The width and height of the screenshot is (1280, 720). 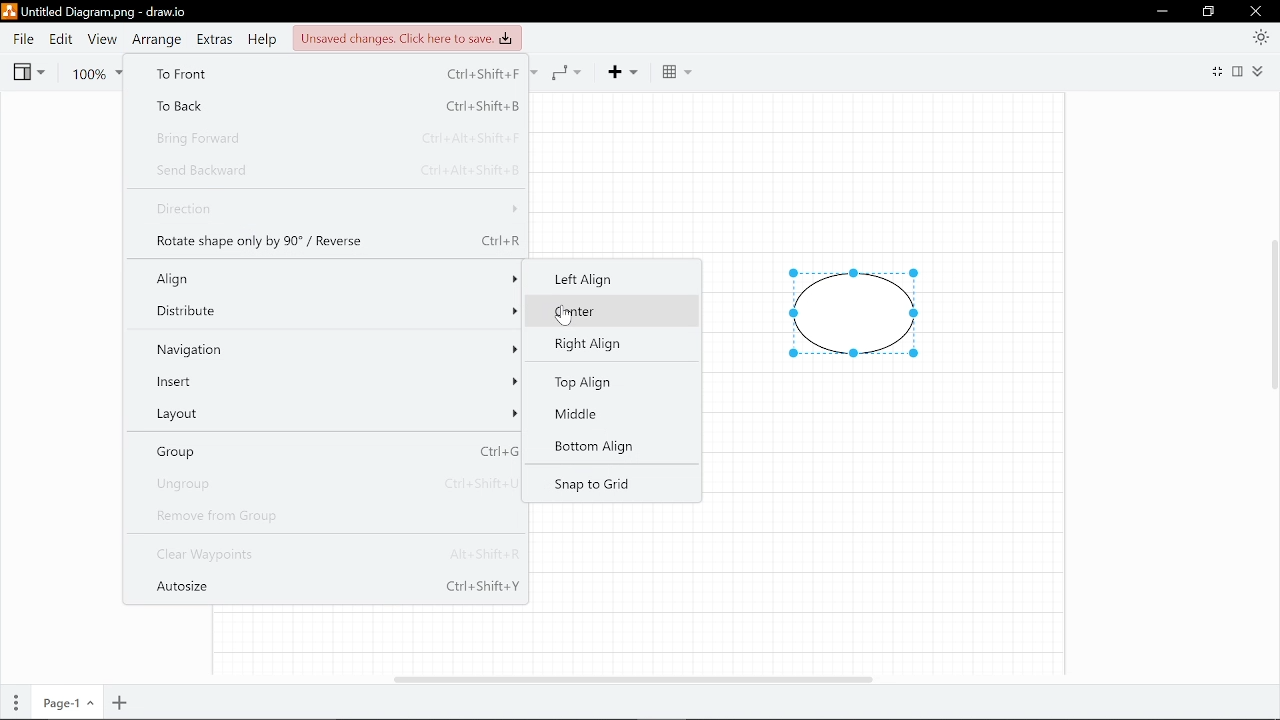 I want to click on Group, so click(x=330, y=450).